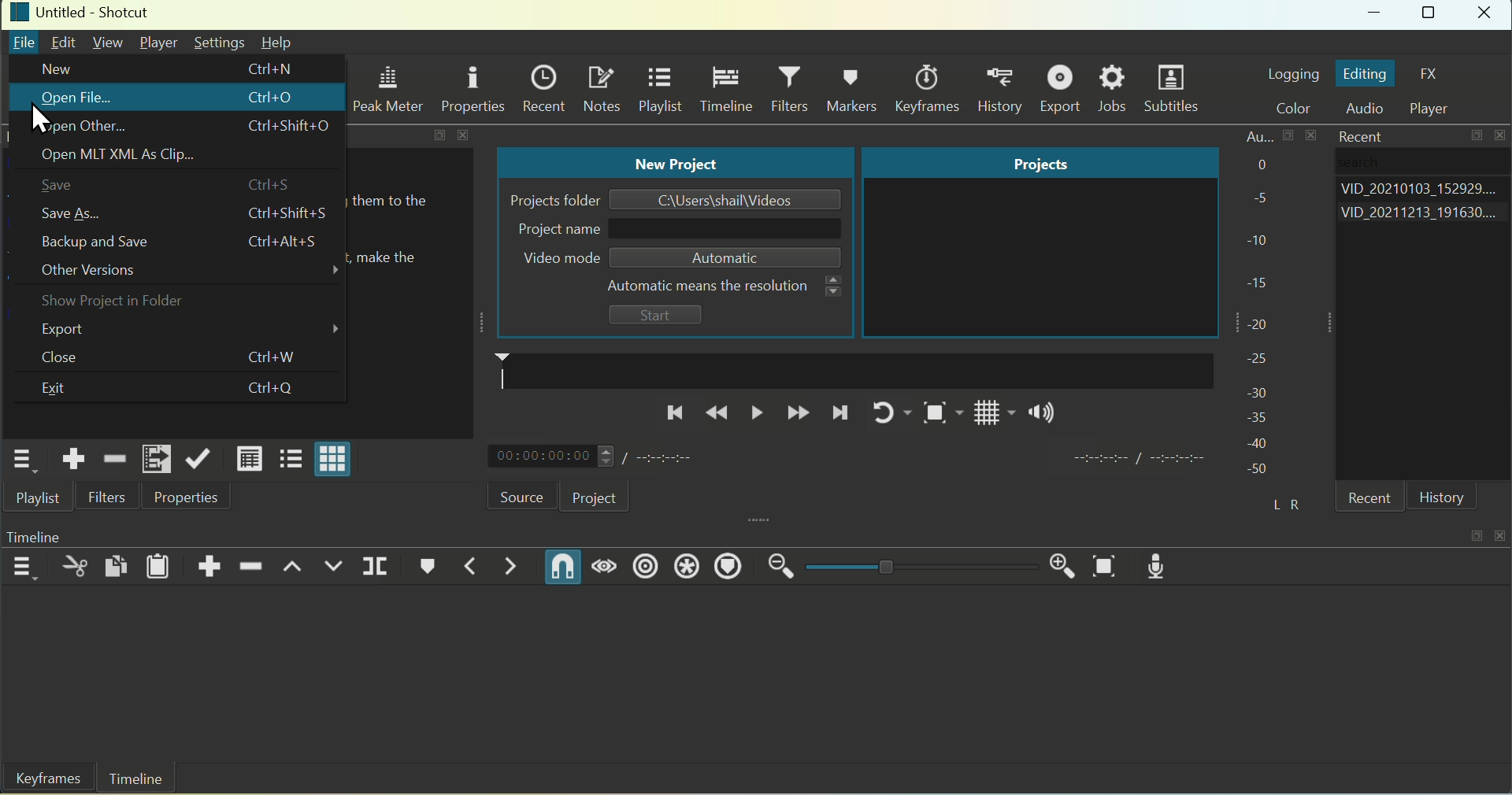 The width and height of the screenshot is (1512, 795). What do you see at coordinates (543, 86) in the screenshot?
I see `Recent` at bounding box center [543, 86].